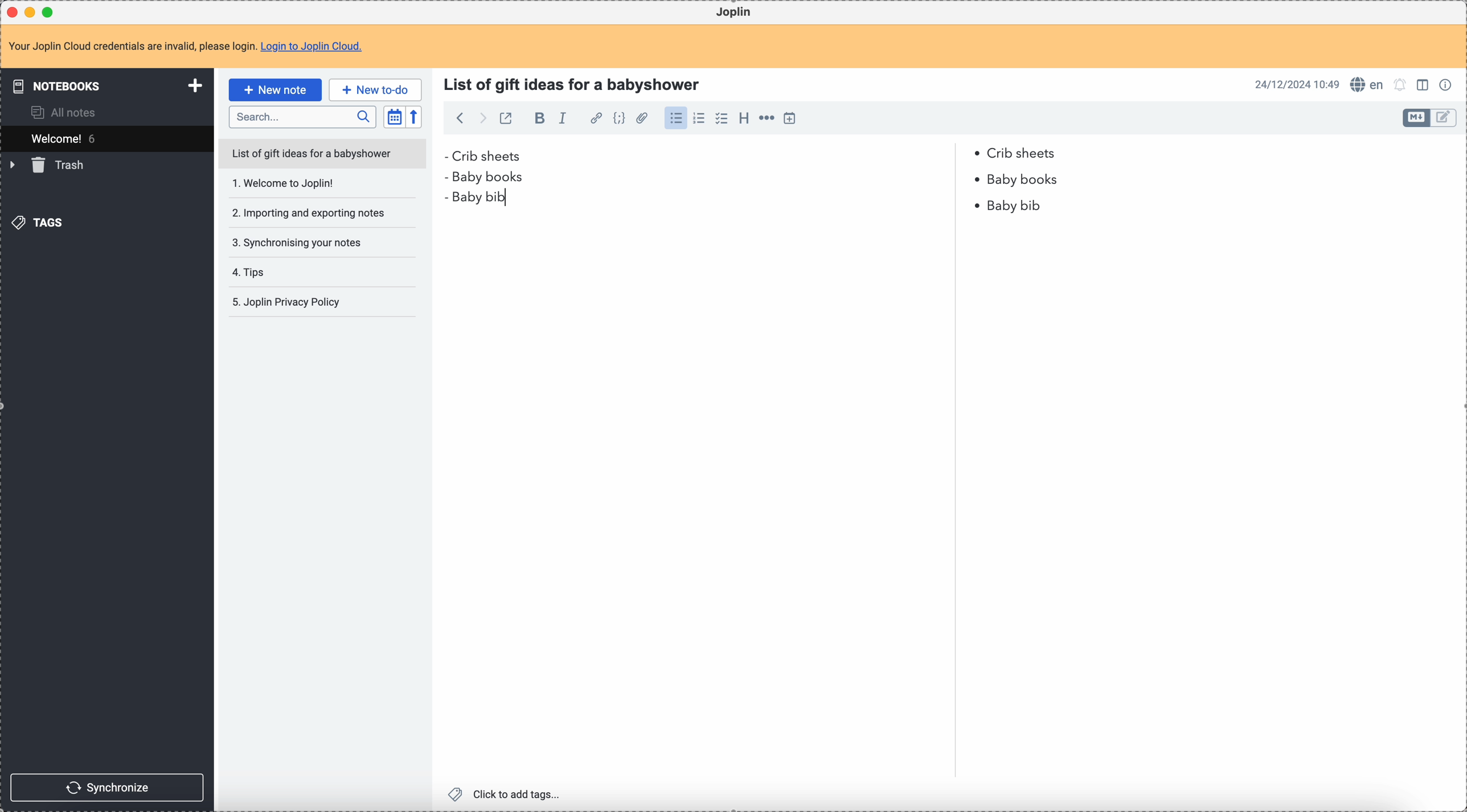 Image resolution: width=1467 pixels, height=812 pixels. What do you see at coordinates (37, 223) in the screenshot?
I see `tags` at bounding box center [37, 223].